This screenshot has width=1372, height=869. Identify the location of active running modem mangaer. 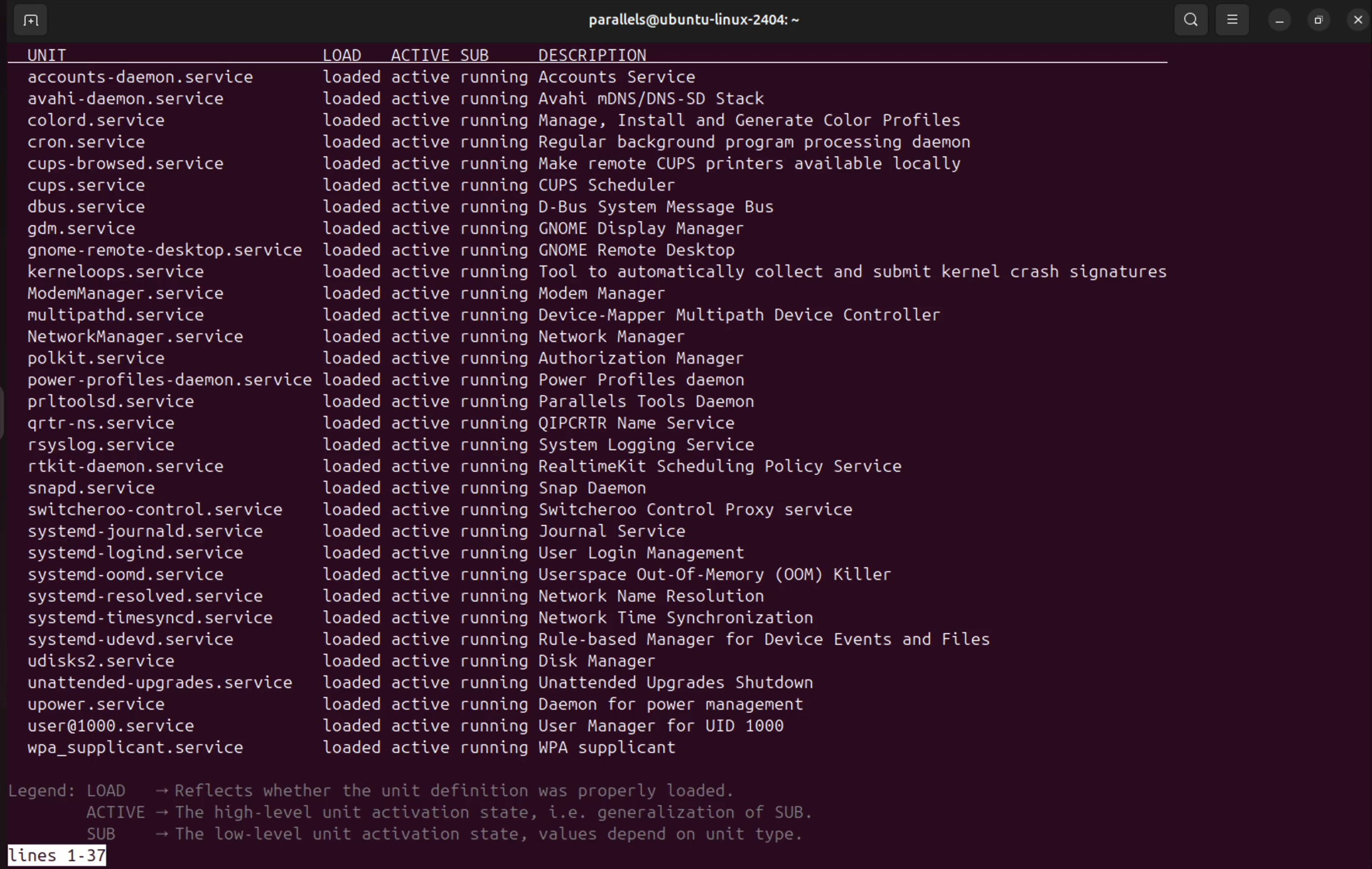
(543, 294).